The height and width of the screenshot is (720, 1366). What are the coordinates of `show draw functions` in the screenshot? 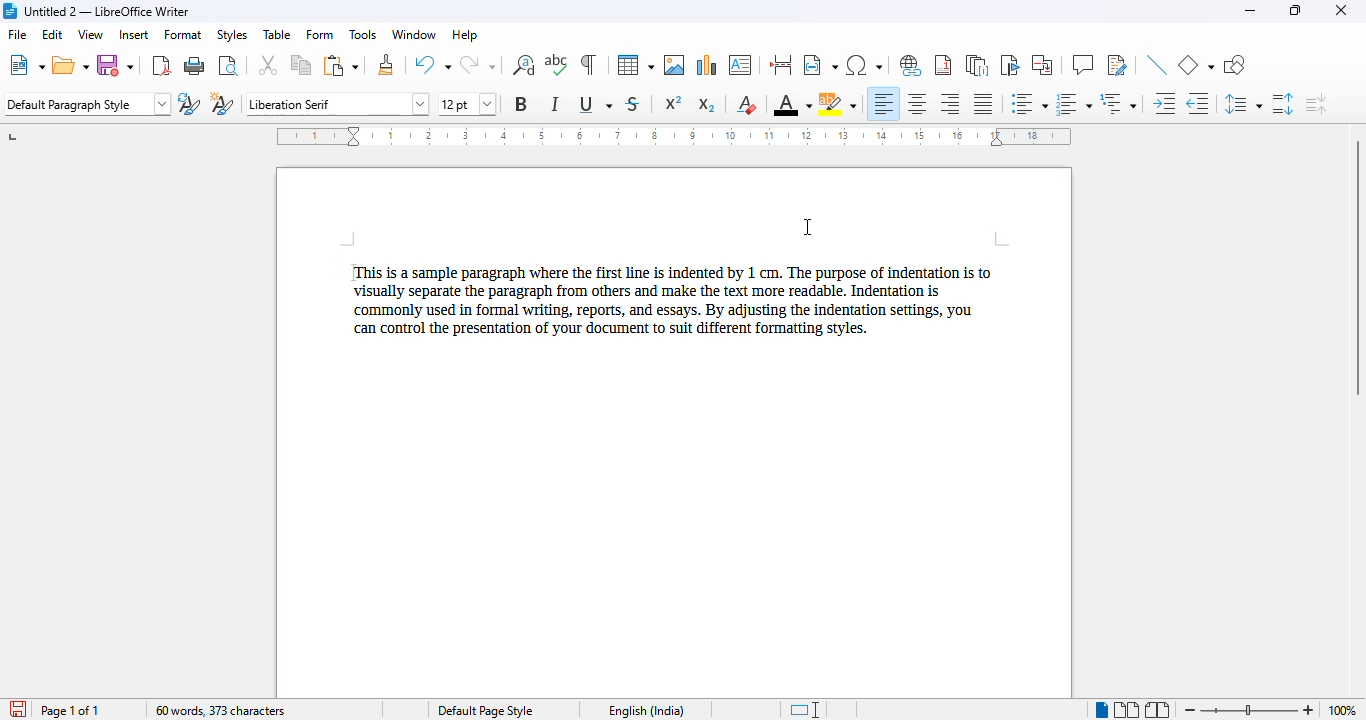 It's located at (1236, 65).